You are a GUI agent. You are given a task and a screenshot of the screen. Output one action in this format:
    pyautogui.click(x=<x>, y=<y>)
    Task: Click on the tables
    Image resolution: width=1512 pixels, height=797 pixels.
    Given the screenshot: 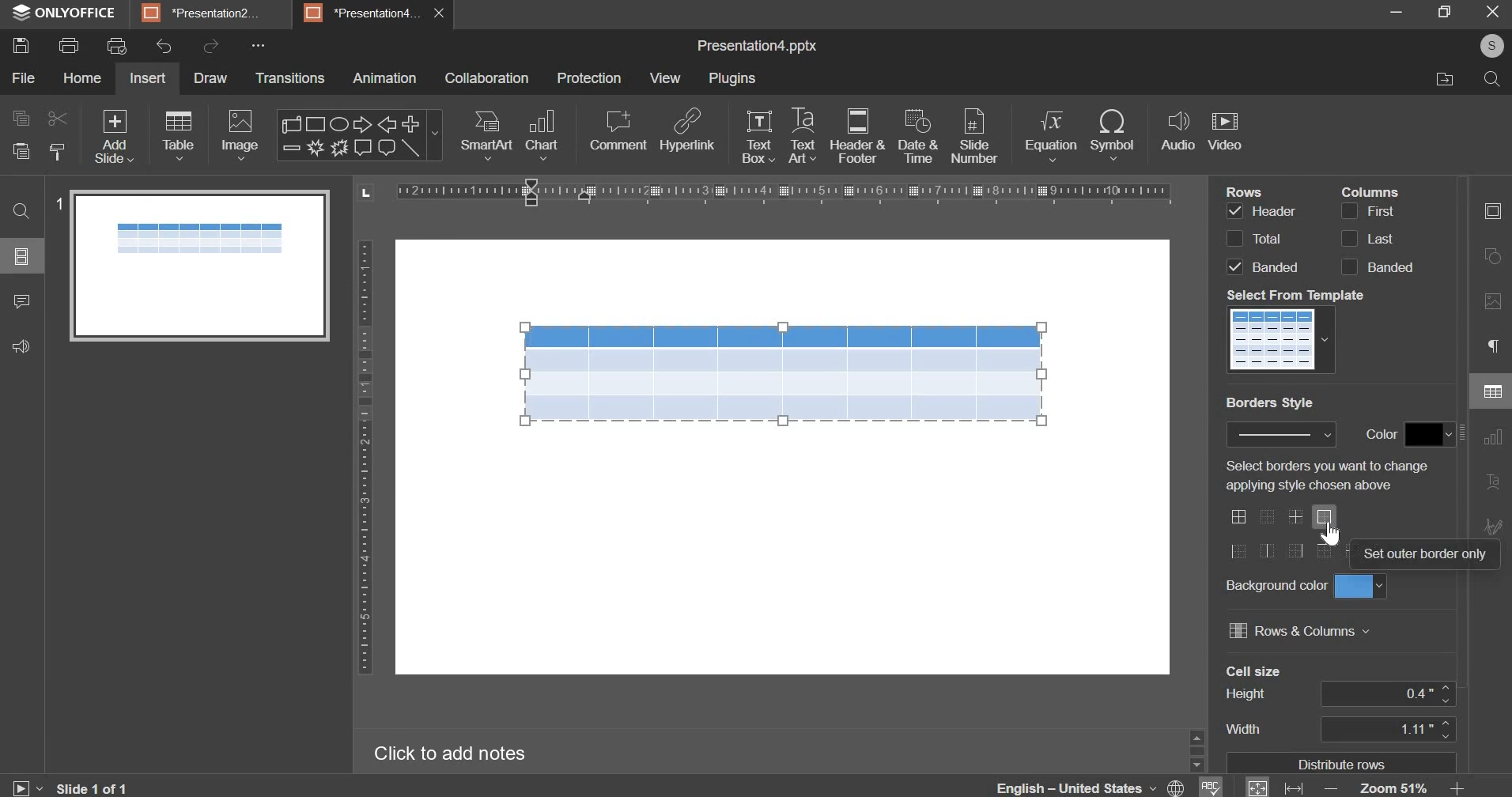 What is the action you would take?
    pyautogui.click(x=179, y=134)
    